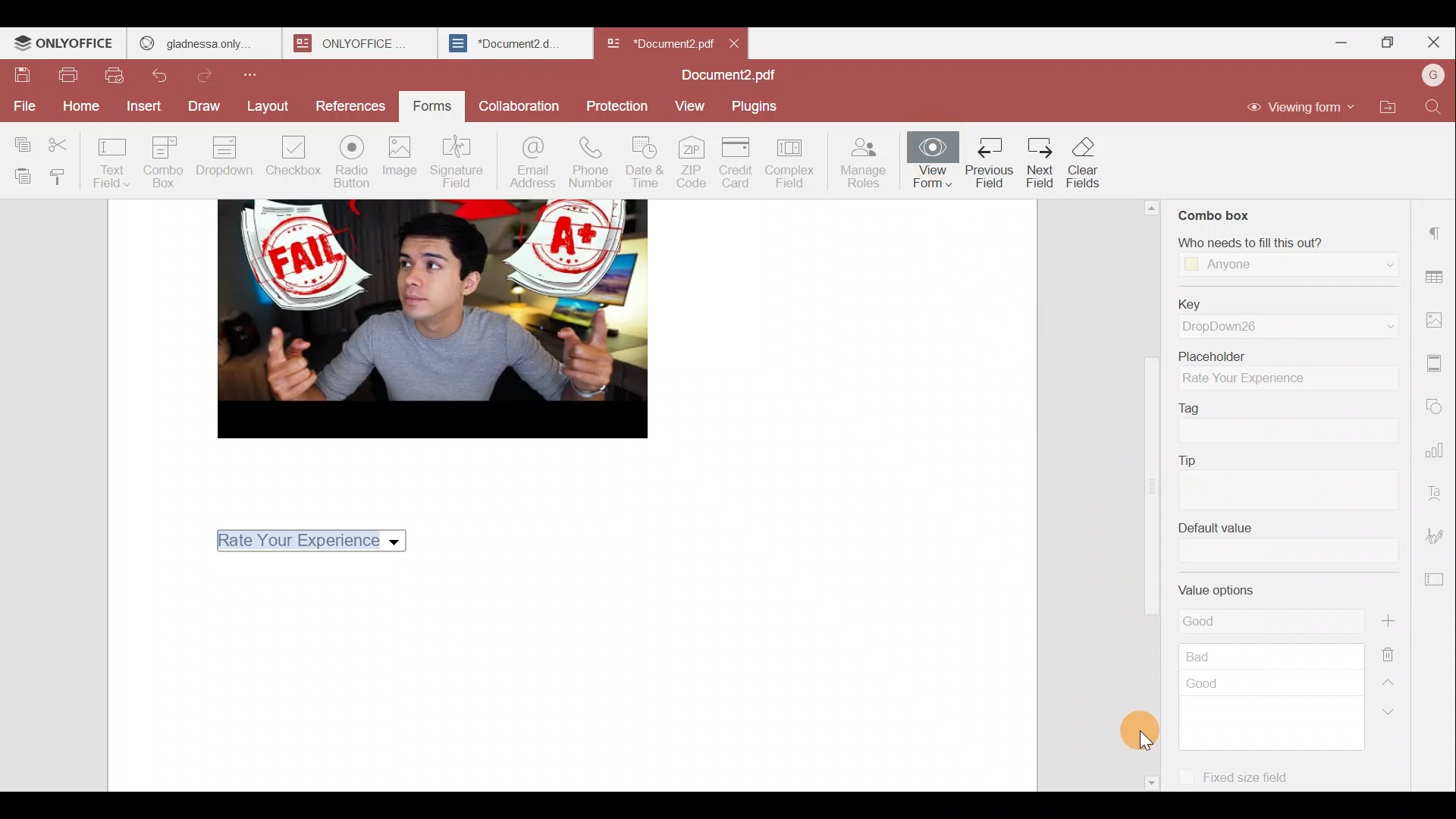 The width and height of the screenshot is (1456, 819). I want to click on Document2.pdf, so click(728, 75).